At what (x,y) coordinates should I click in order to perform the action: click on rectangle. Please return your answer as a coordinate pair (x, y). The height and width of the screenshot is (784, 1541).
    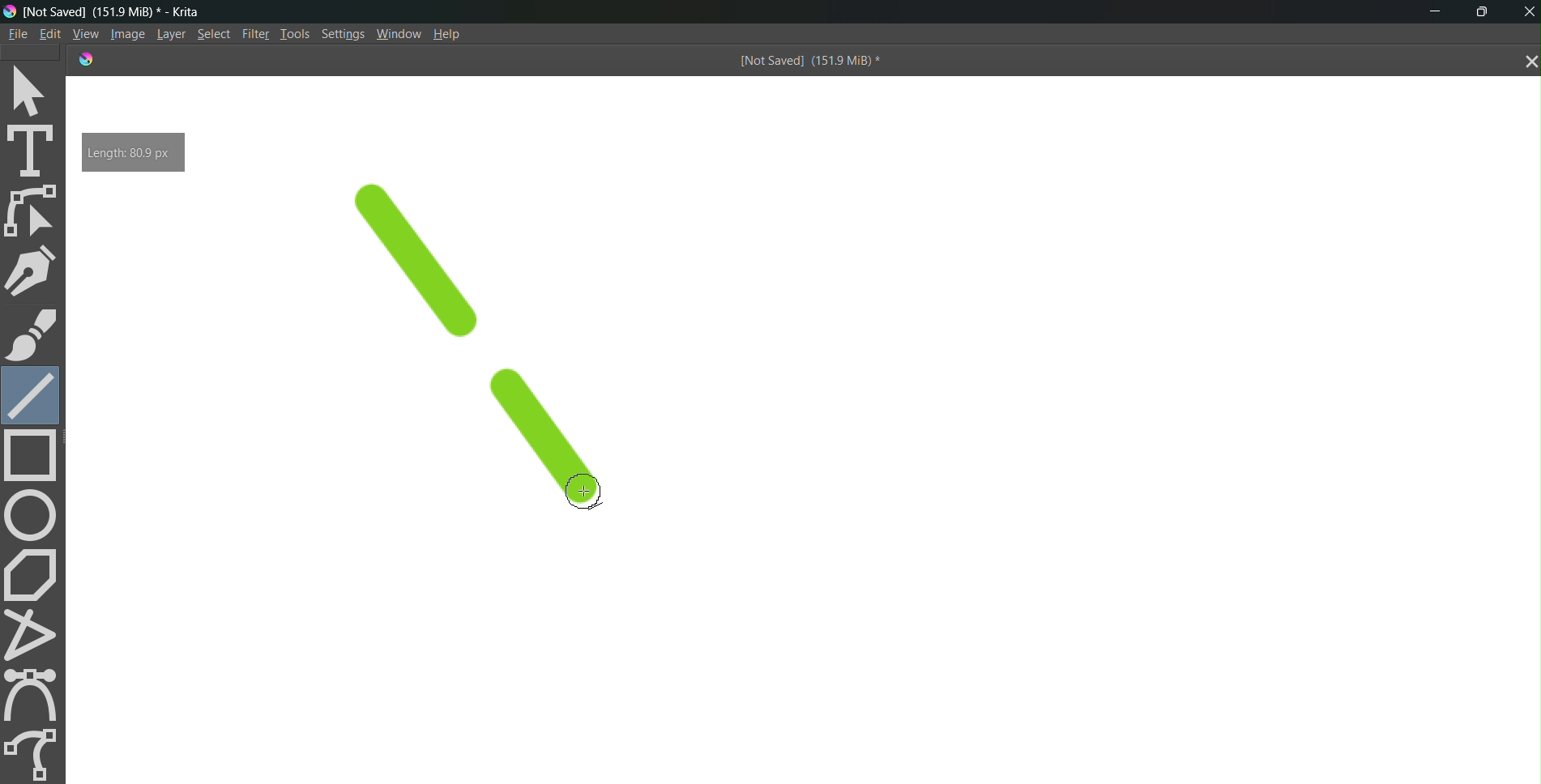
    Looking at the image, I should click on (36, 457).